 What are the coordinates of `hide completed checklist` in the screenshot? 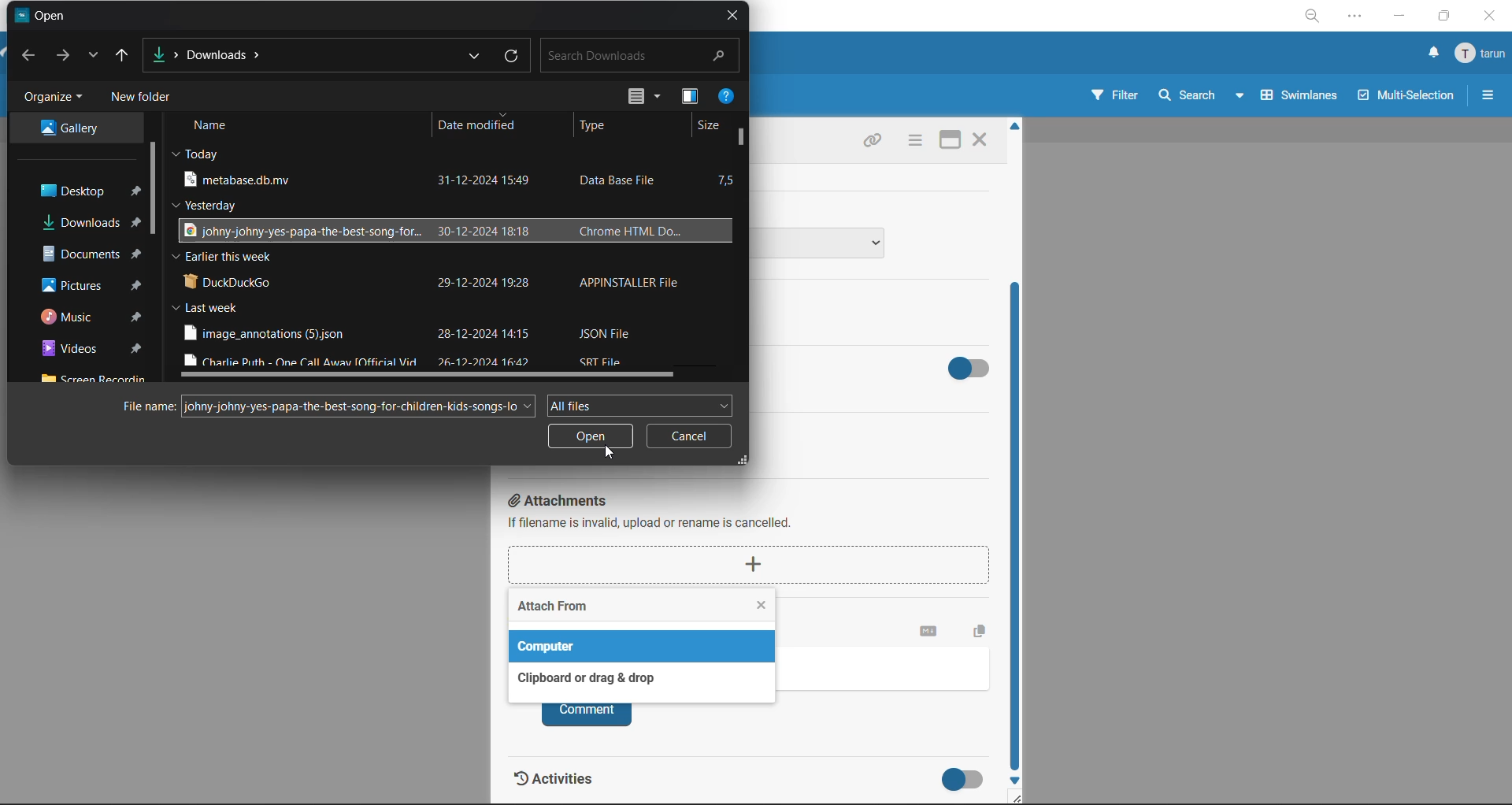 It's located at (973, 365).